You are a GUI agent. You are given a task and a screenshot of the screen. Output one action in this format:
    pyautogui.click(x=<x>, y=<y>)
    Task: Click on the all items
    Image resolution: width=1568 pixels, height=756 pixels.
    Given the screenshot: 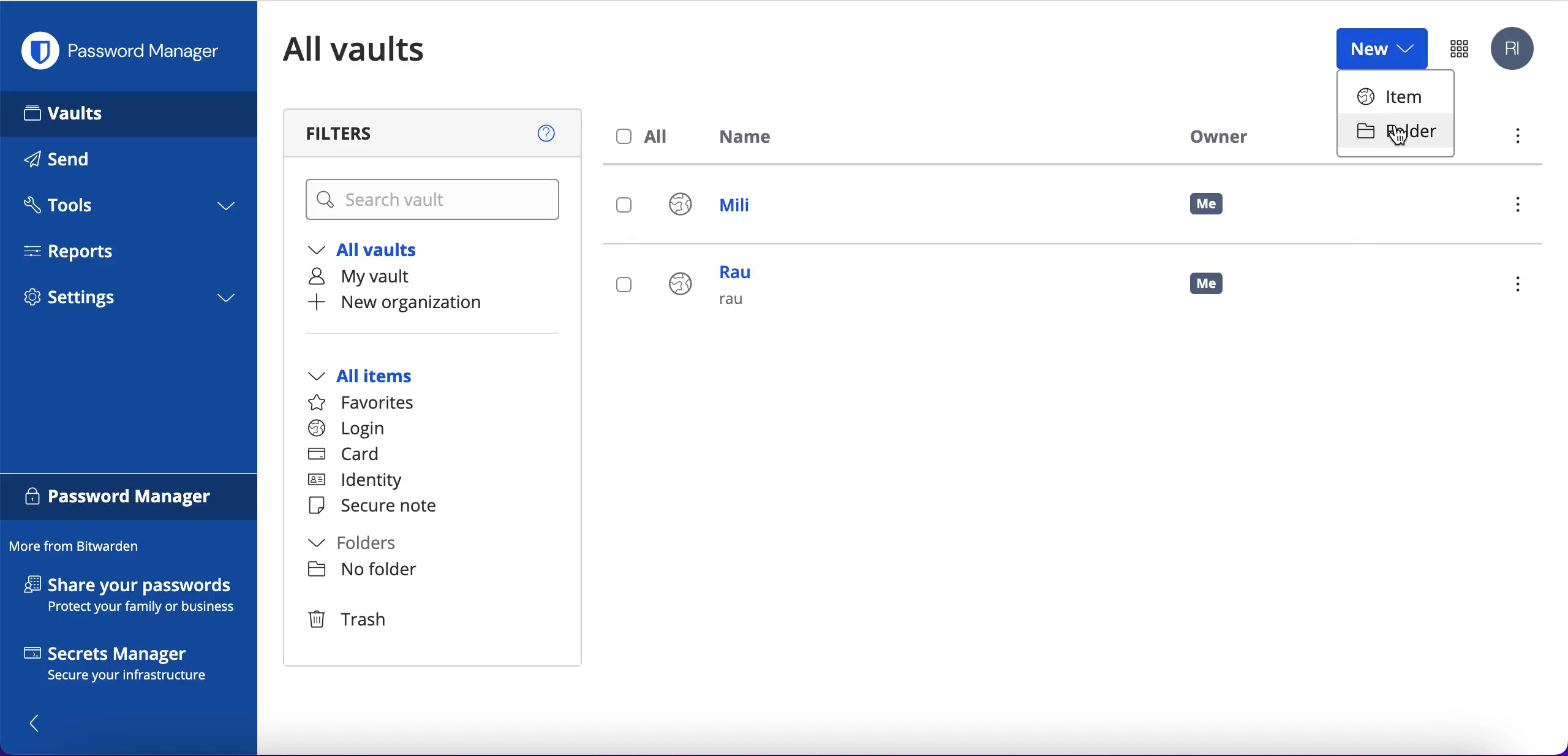 What is the action you would take?
    pyautogui.click(x=379, y=377)
    